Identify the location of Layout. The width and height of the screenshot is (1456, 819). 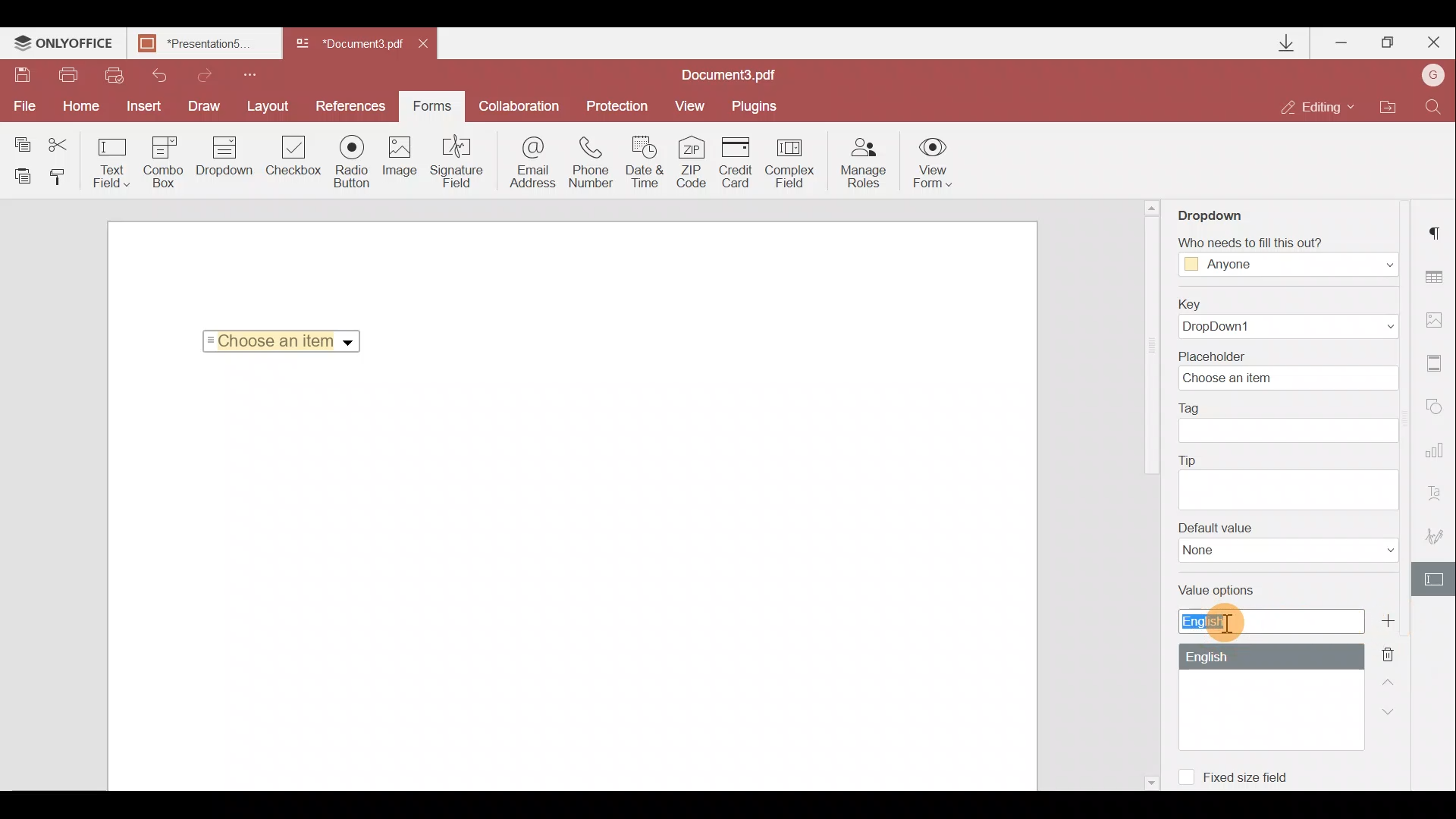
(269, 104).